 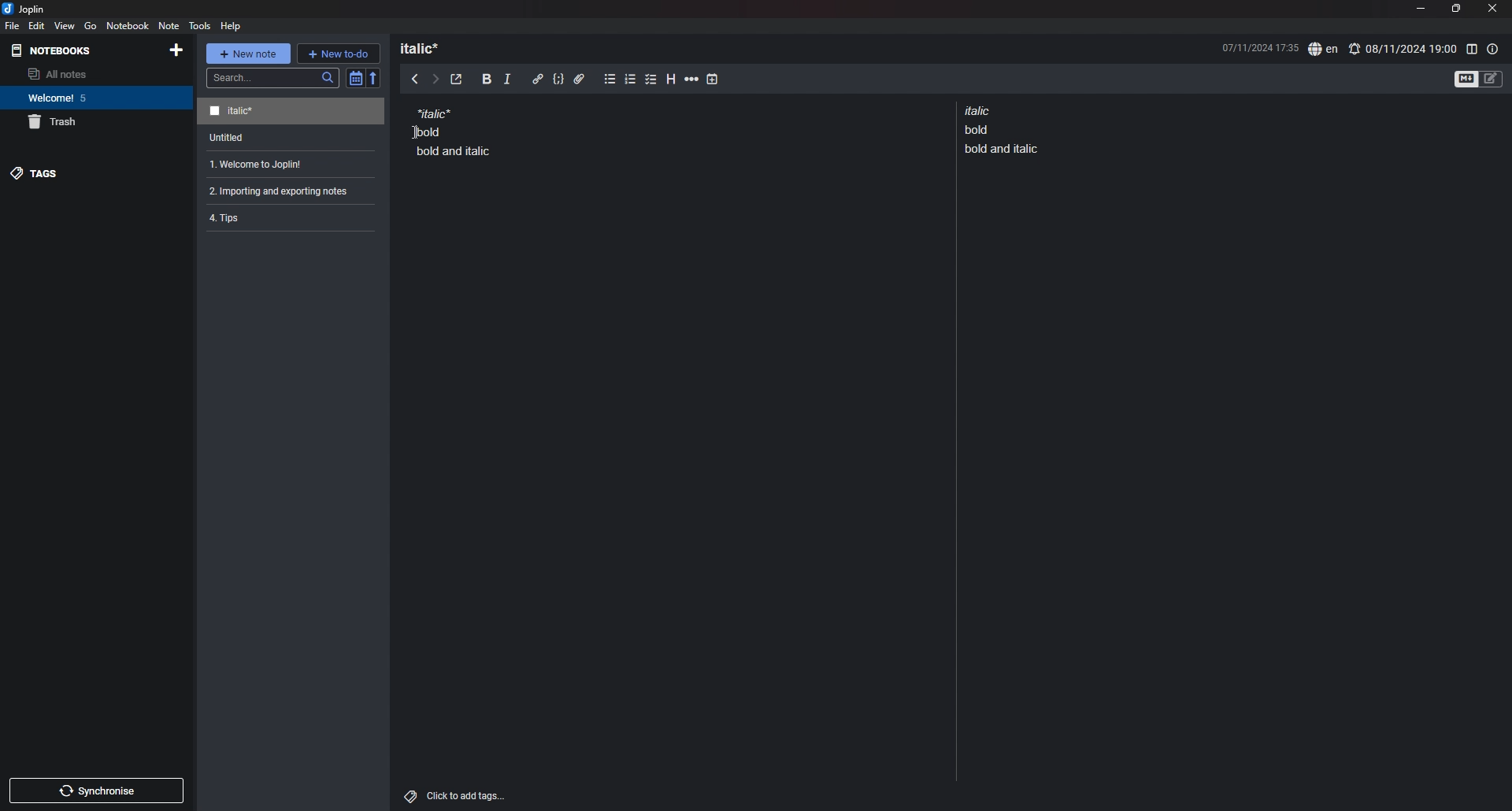 I want to click on Cursor, so click(x=415, y=130).